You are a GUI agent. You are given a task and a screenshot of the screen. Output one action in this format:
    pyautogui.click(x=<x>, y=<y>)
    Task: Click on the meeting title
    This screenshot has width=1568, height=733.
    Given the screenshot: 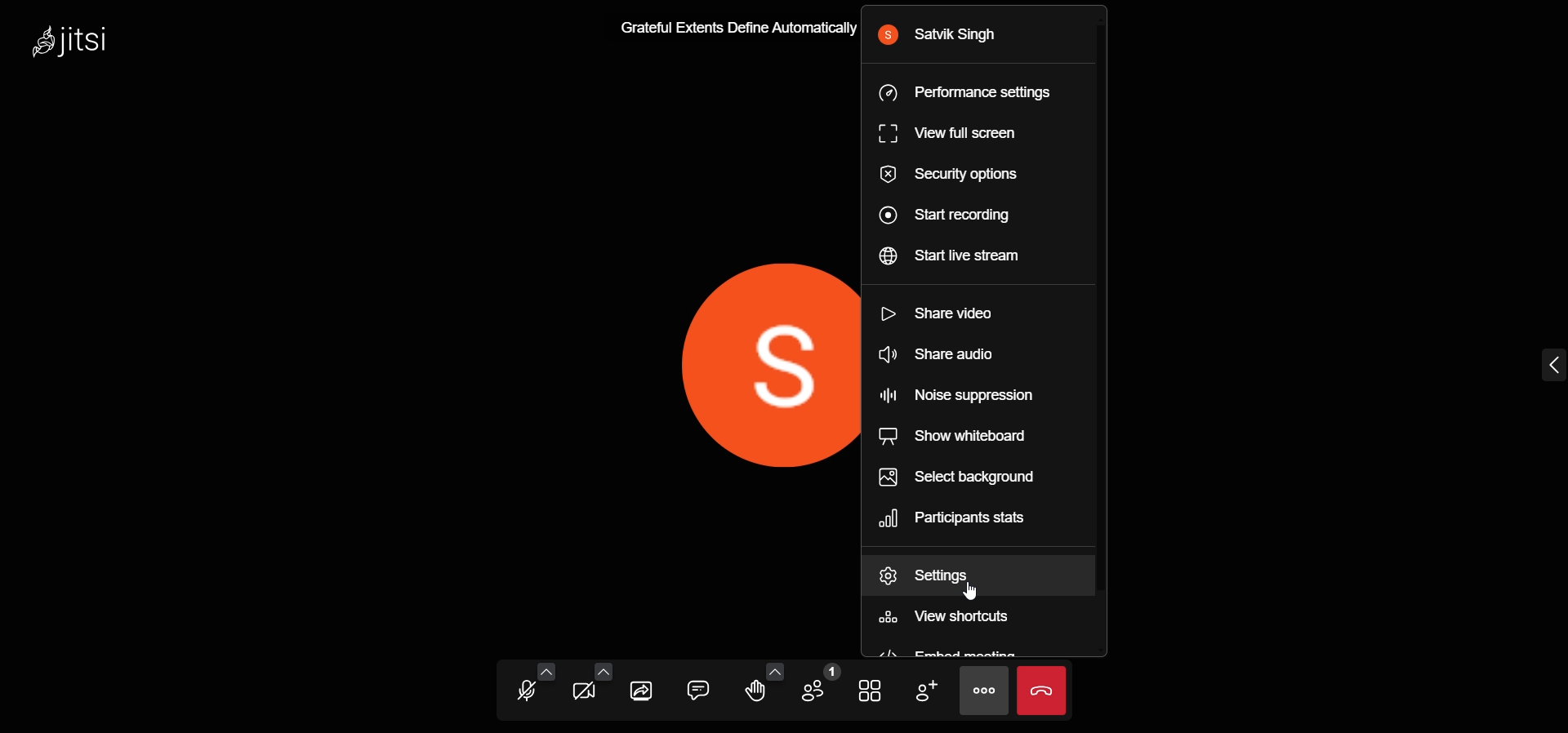 What is the action you would take?
    pyautogui.click(x=726, y=31)
    